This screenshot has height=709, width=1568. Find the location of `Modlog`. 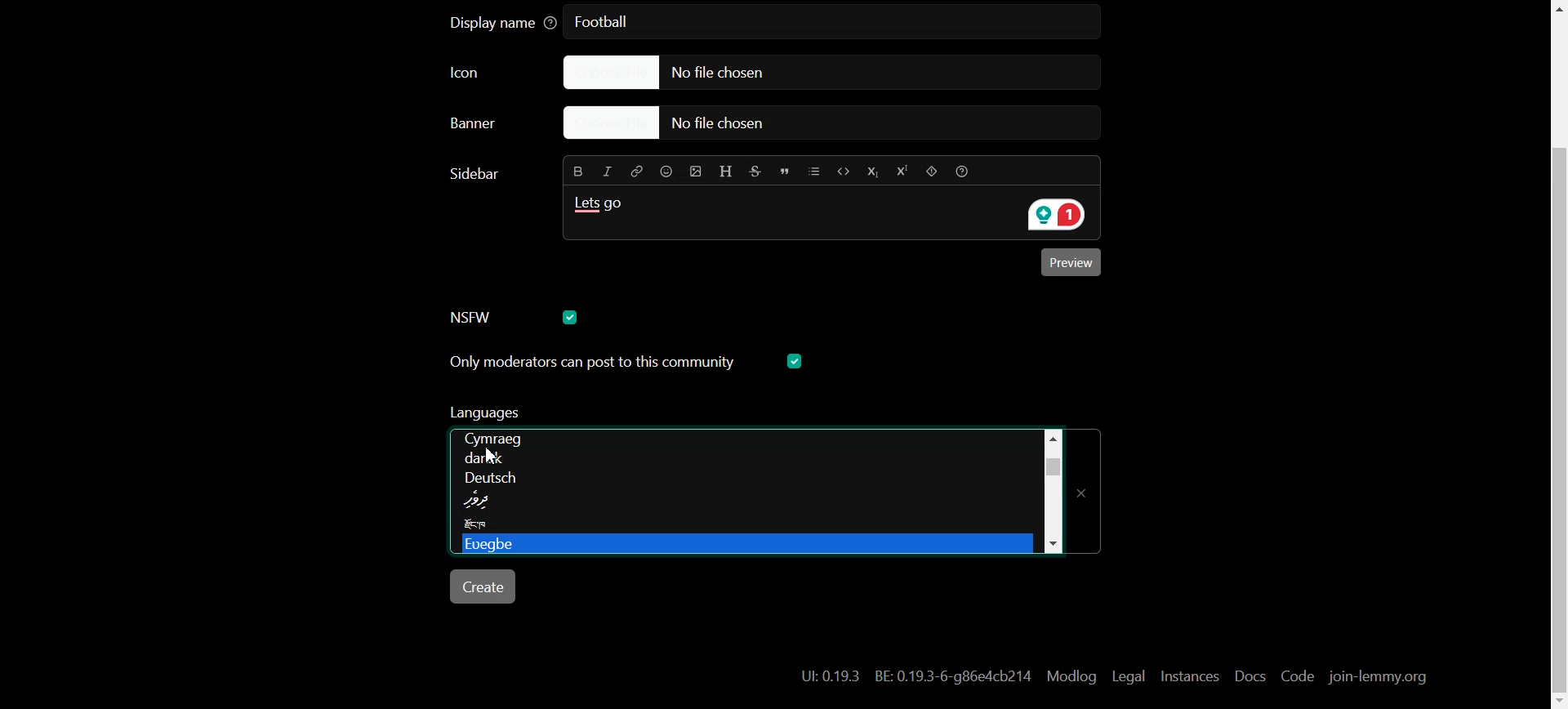

Modlog is located at coordinates (1071, 676).